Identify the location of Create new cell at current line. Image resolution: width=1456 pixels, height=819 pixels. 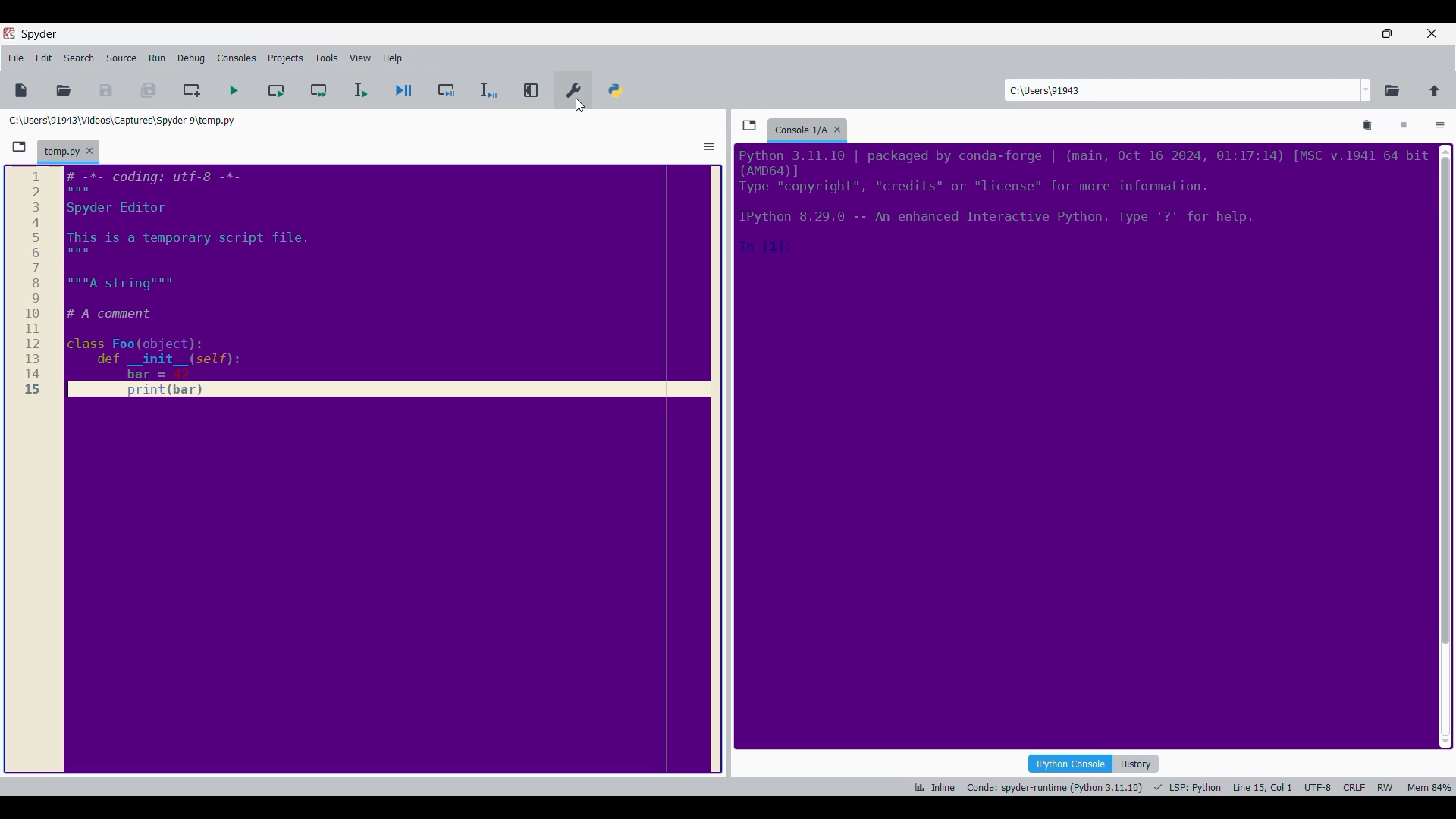
(192, 90).